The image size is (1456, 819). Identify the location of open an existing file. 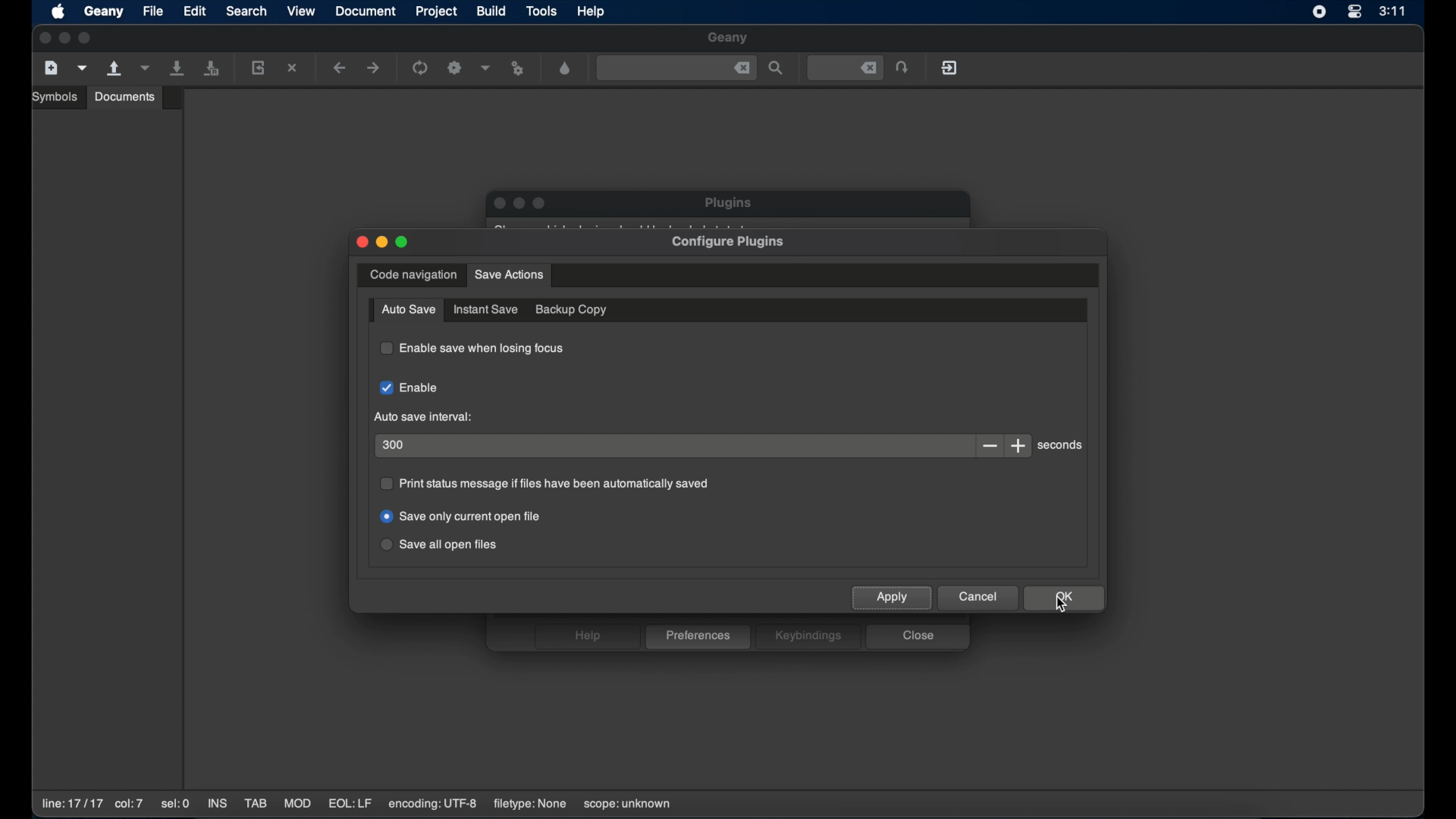
(115, 69).